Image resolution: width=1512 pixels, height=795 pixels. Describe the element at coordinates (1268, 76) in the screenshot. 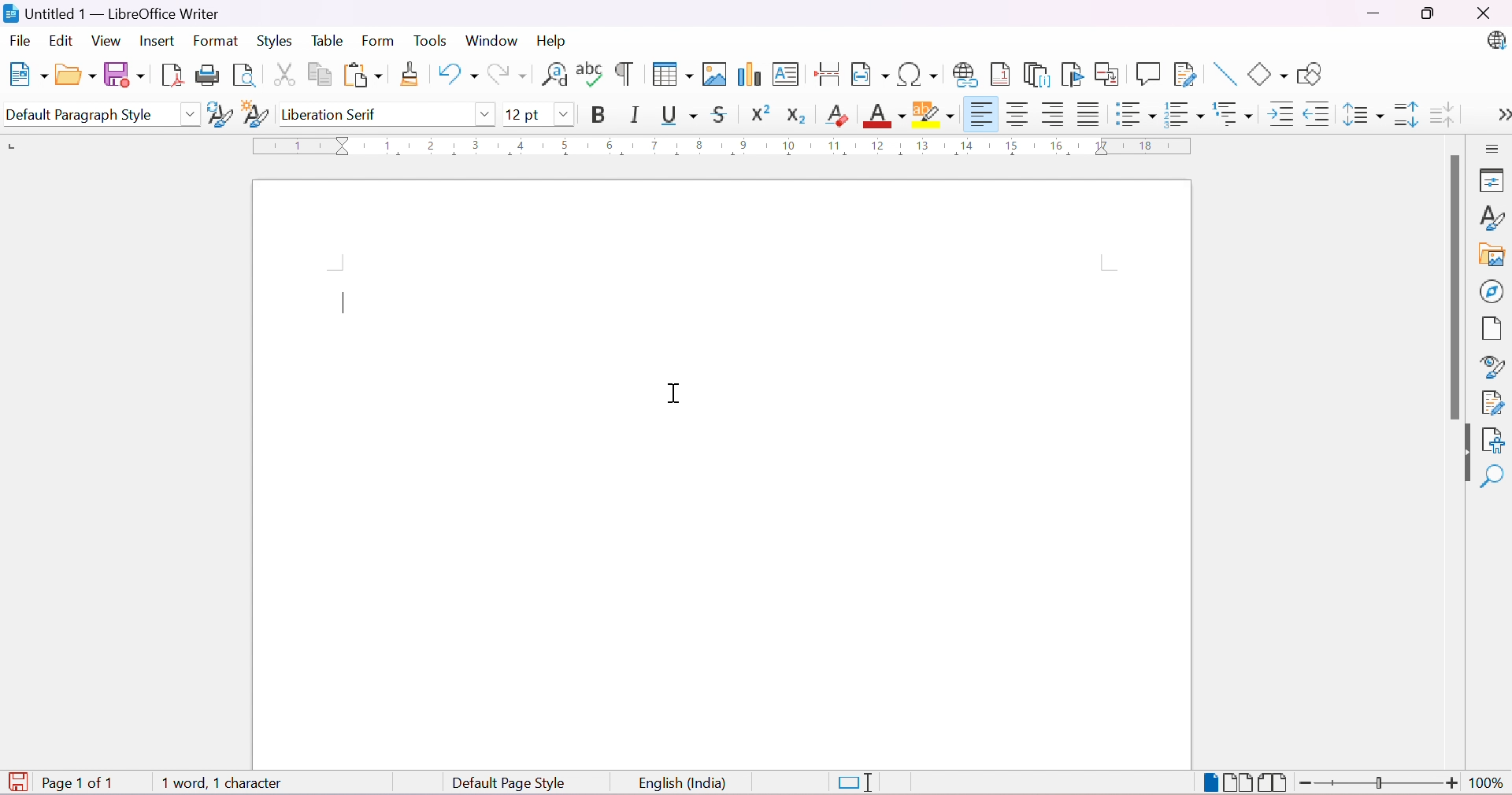

I see `Basic Shapes` at that location.